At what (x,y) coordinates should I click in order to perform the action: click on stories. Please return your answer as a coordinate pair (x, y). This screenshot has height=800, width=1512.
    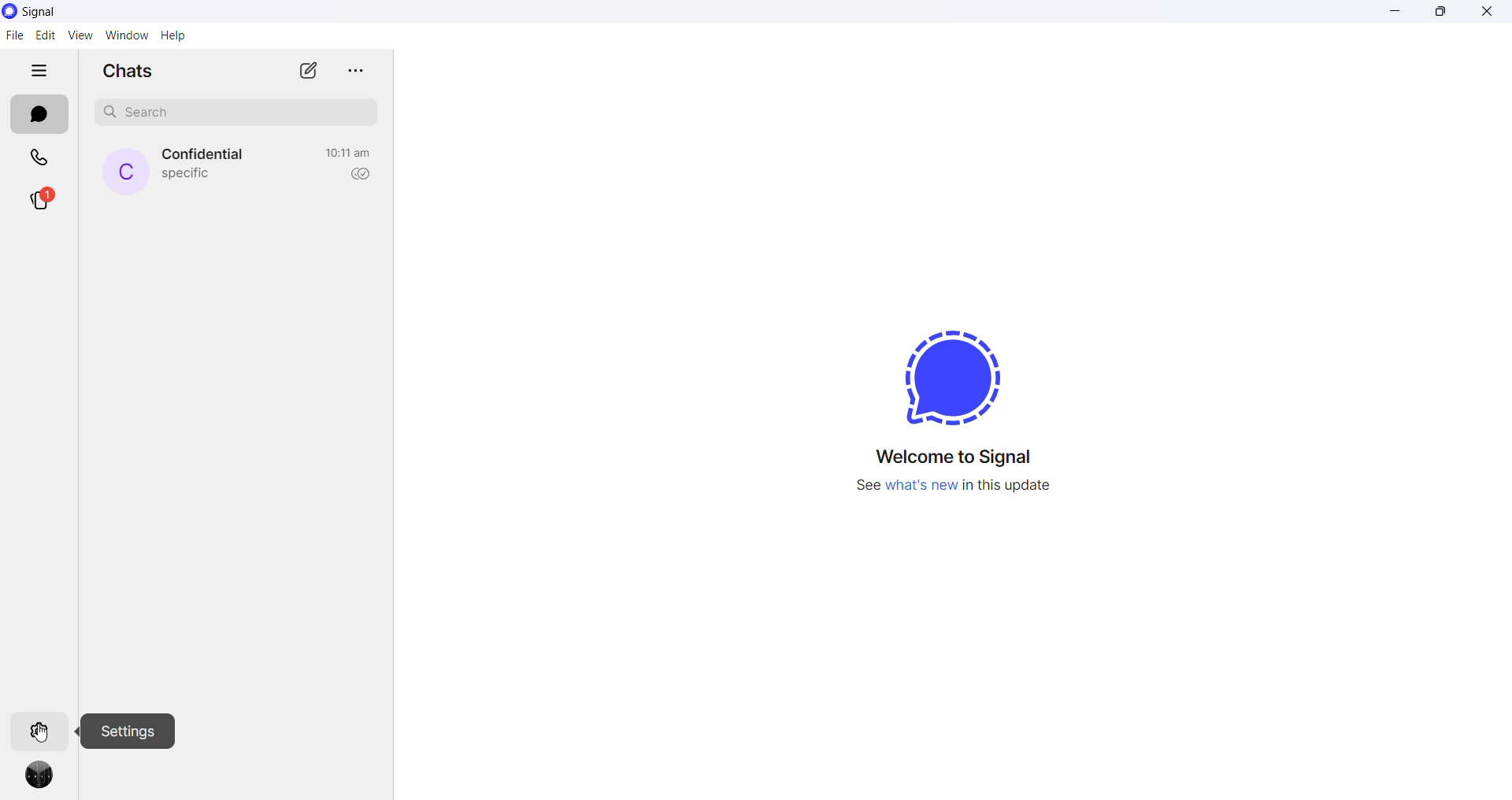
    Looking at the image, I should click on (42, 202).